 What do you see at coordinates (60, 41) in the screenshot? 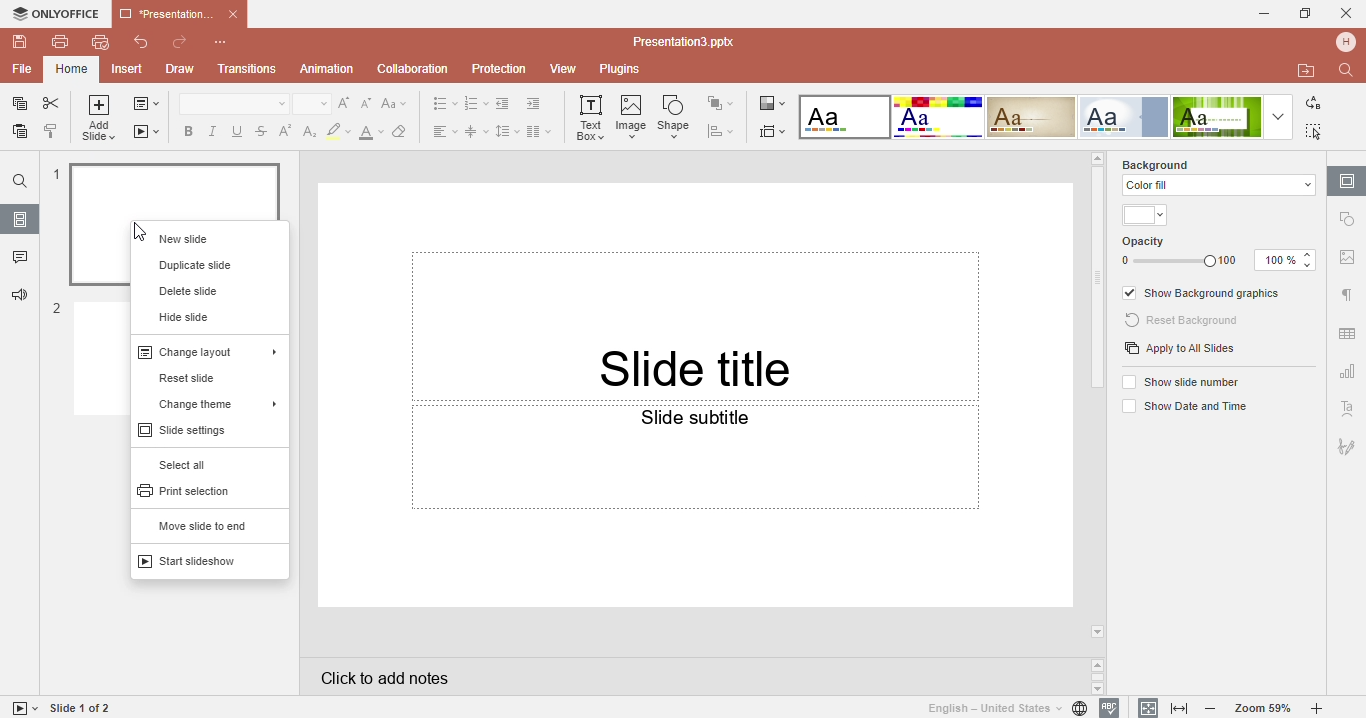
I see `Print file` at bounding box center [60, 41].